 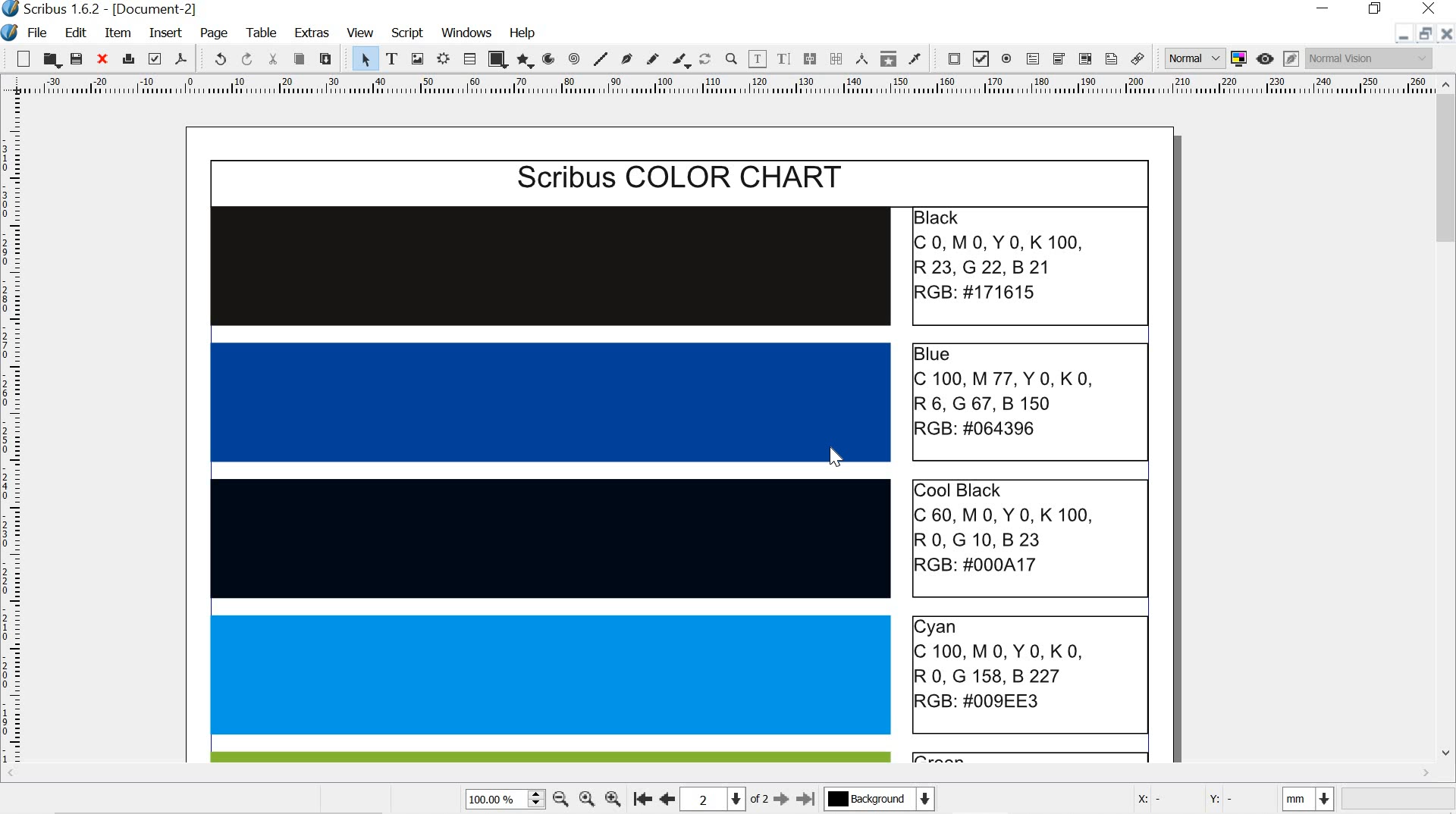 I want to click on X: - Y: -, so click(x=1197, y=800).